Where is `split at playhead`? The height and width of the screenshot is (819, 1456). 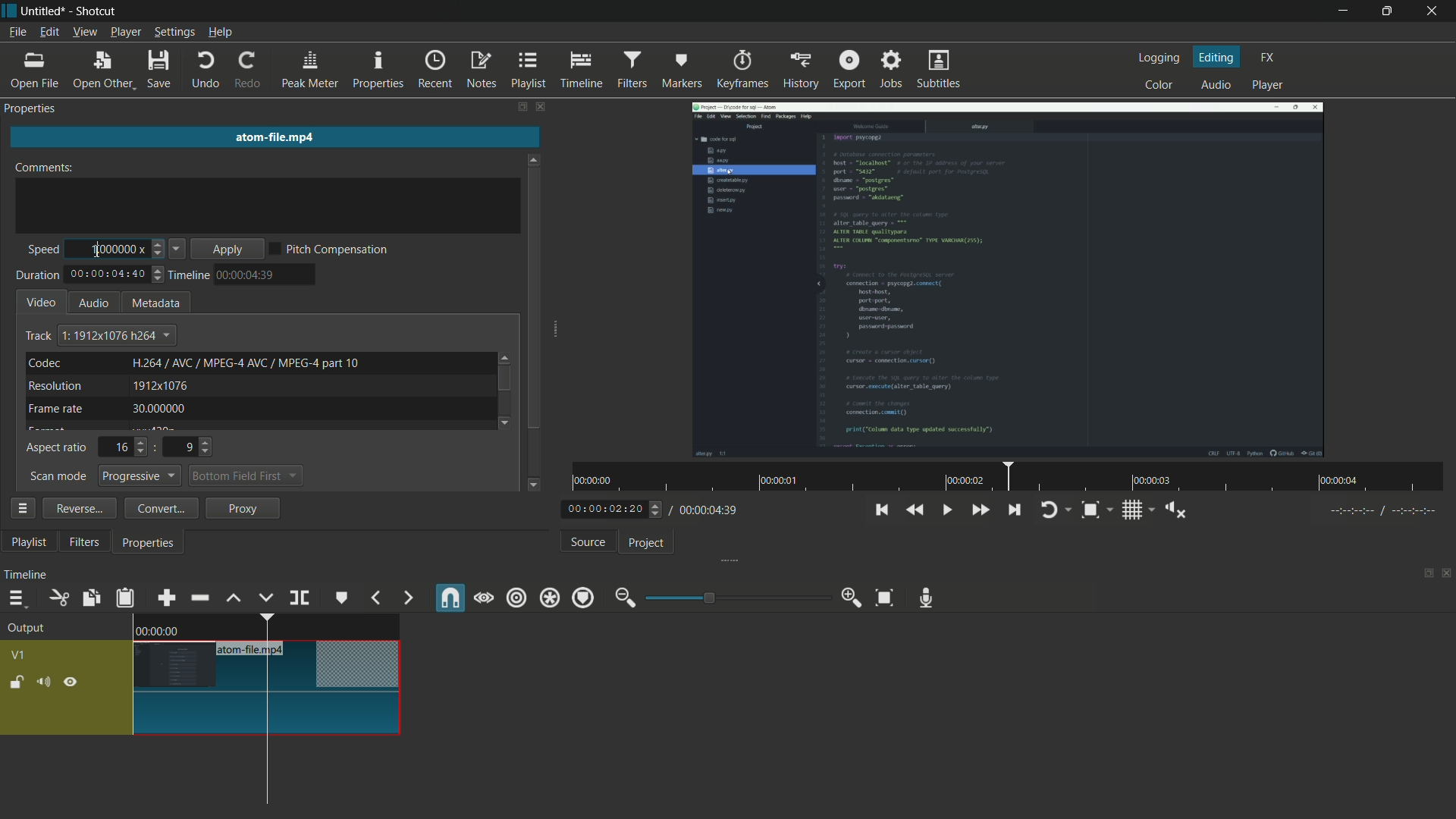
split at playhead is located at coordinates (297, 598).